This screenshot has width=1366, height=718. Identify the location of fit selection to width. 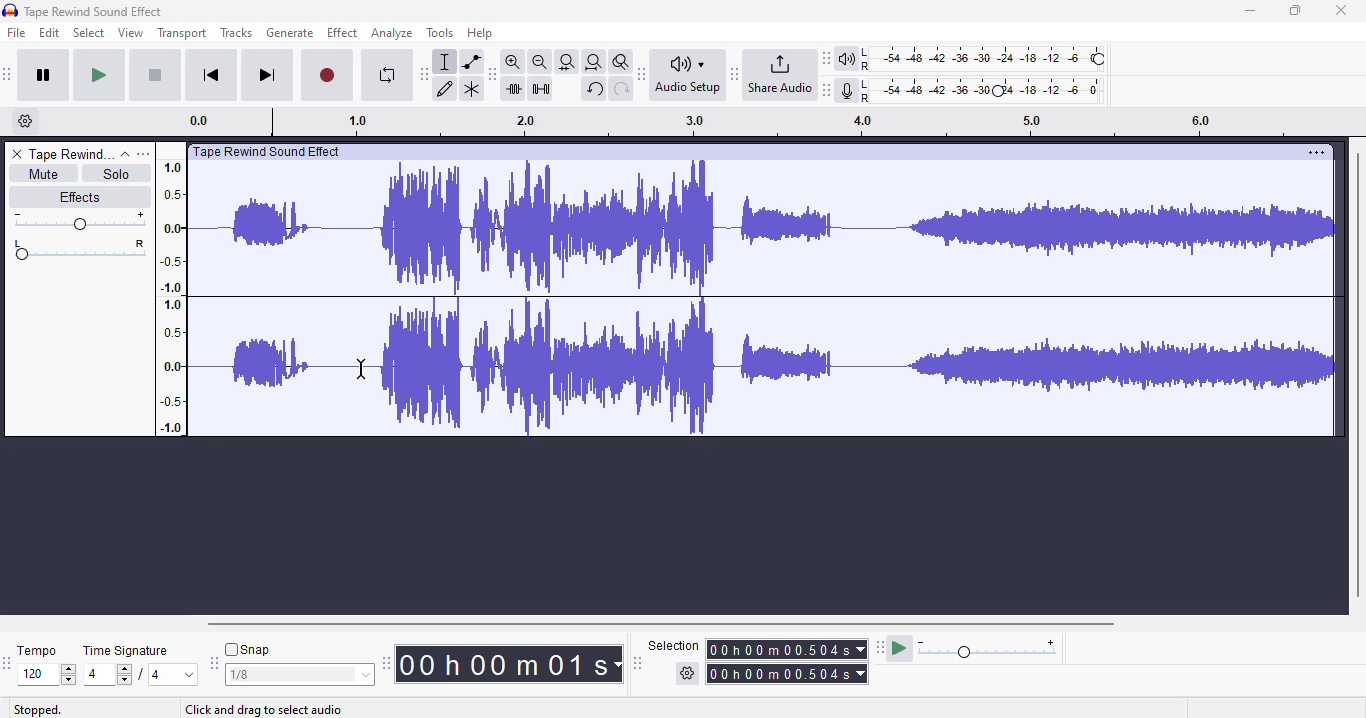
(567, 63).